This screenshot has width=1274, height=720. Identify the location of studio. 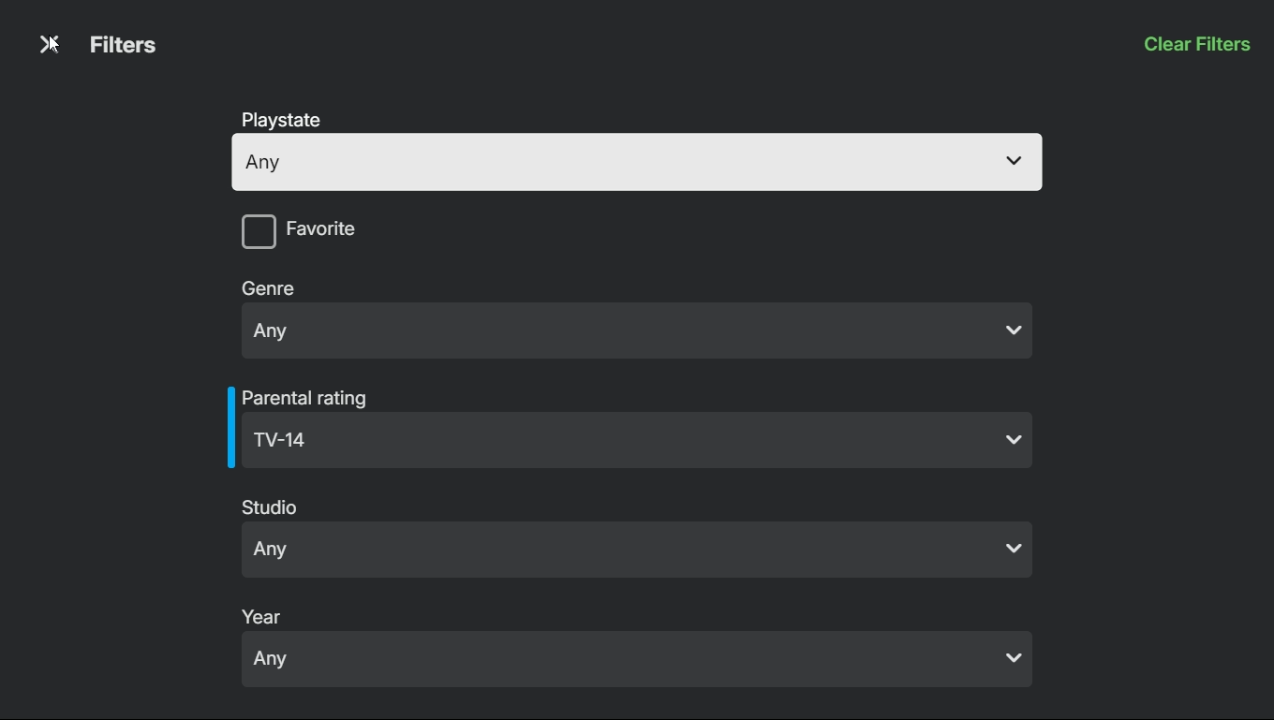
(272, 508).